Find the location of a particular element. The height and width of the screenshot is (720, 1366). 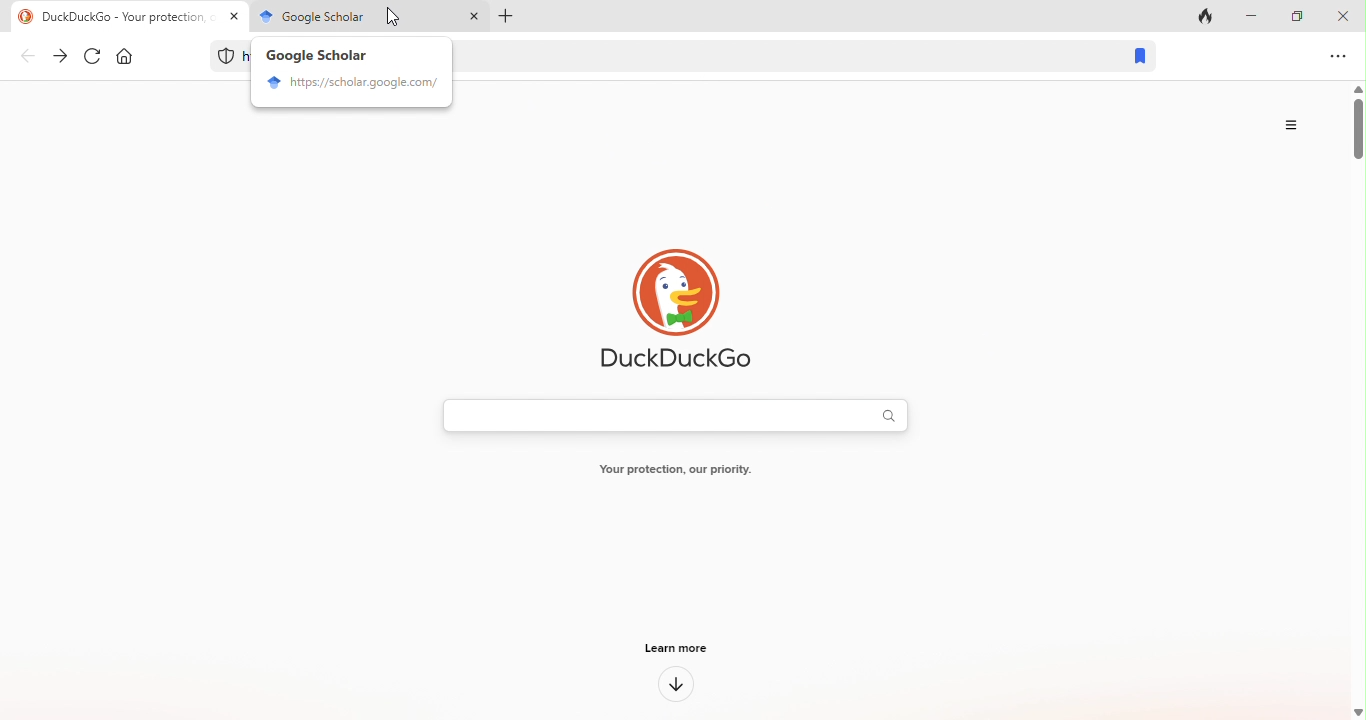

options is located at coordinates (1339, 56).